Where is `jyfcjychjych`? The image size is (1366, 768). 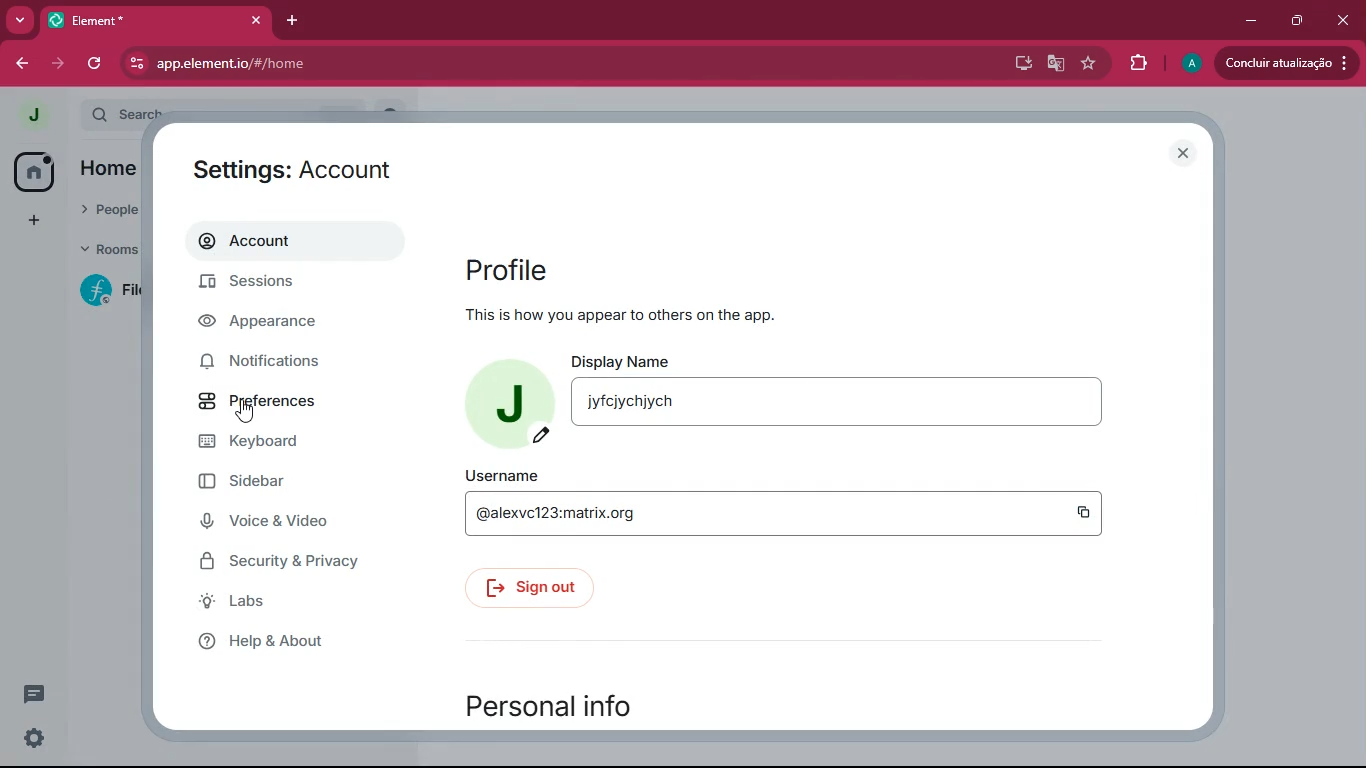
jyfcjychjych is located at coordinates (639, 407).